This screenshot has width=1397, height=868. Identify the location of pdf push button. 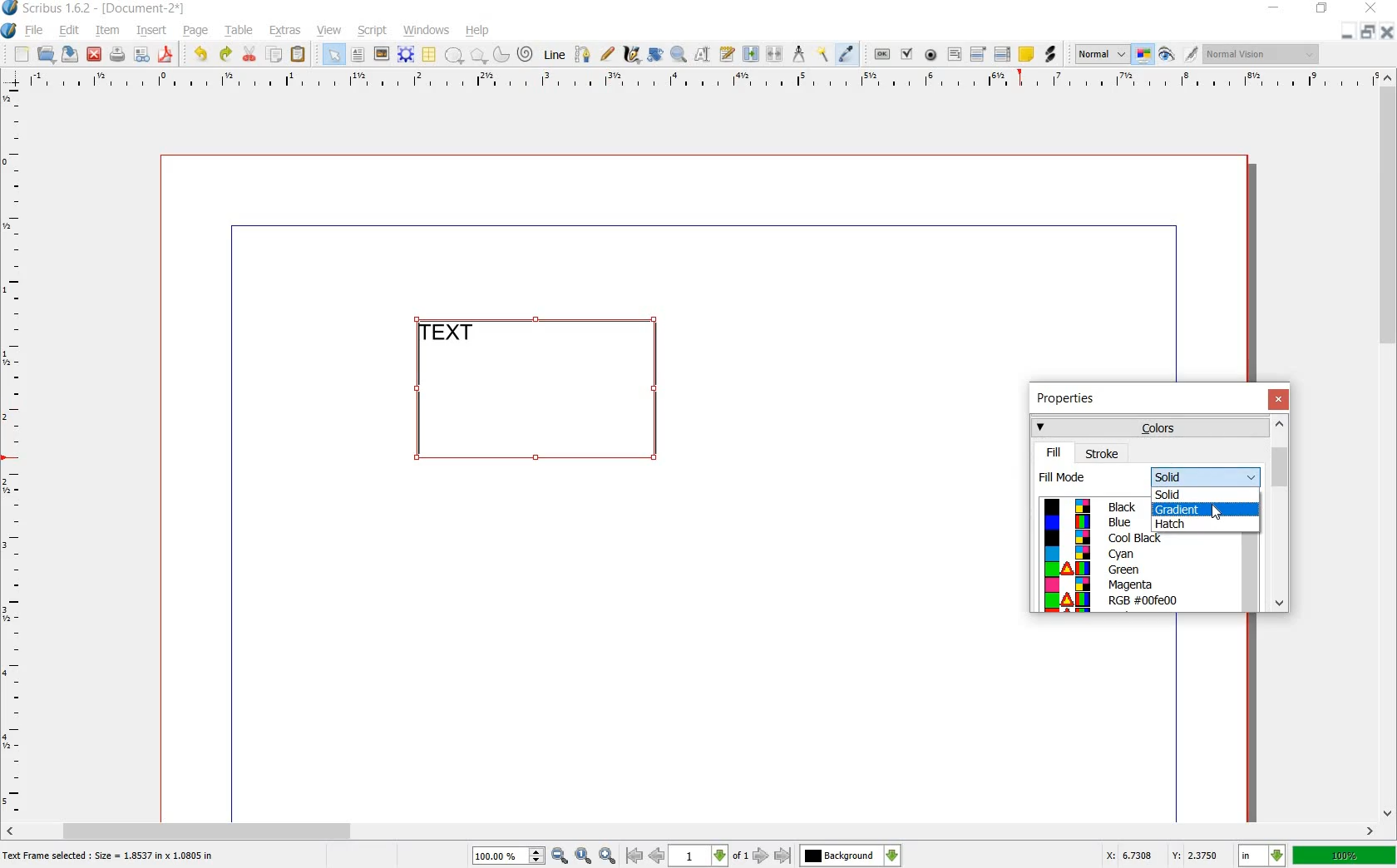
(882, 52).